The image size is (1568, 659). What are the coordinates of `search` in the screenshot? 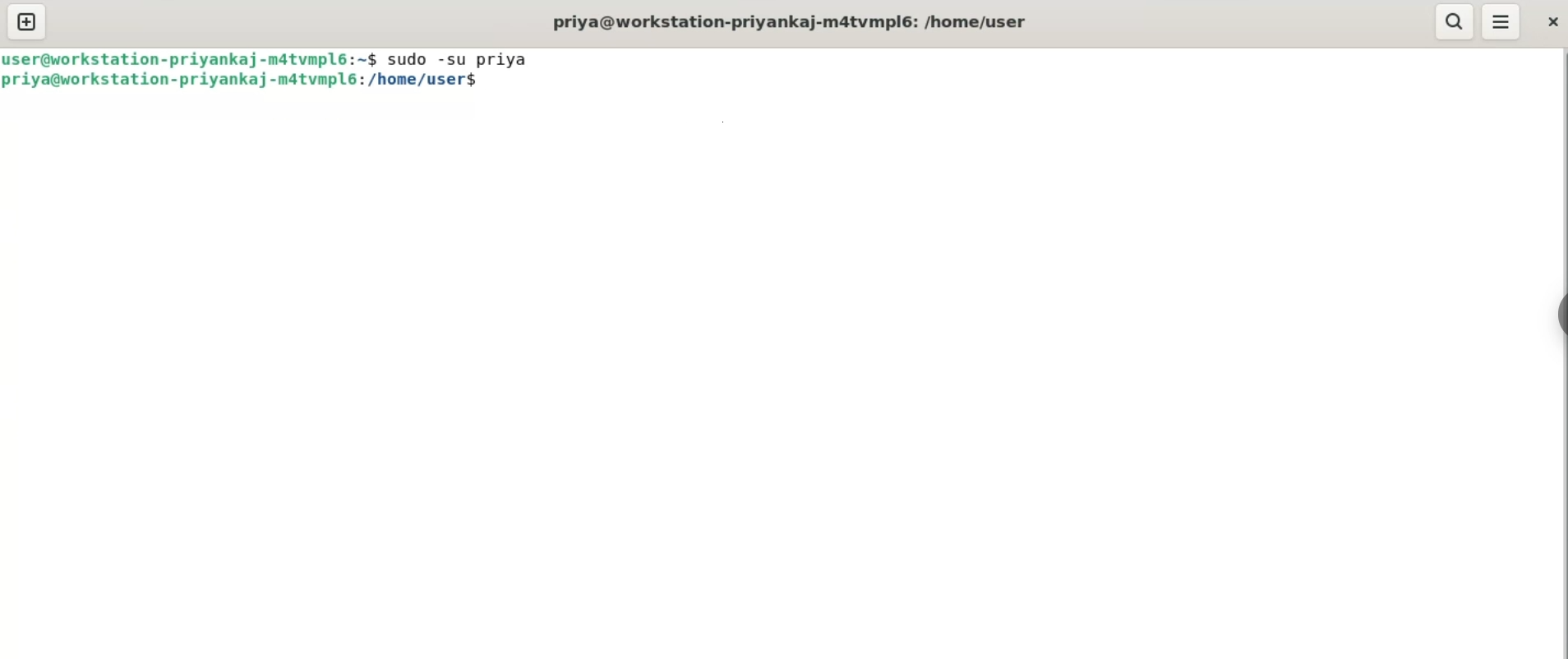 It's located at (1455, 21).